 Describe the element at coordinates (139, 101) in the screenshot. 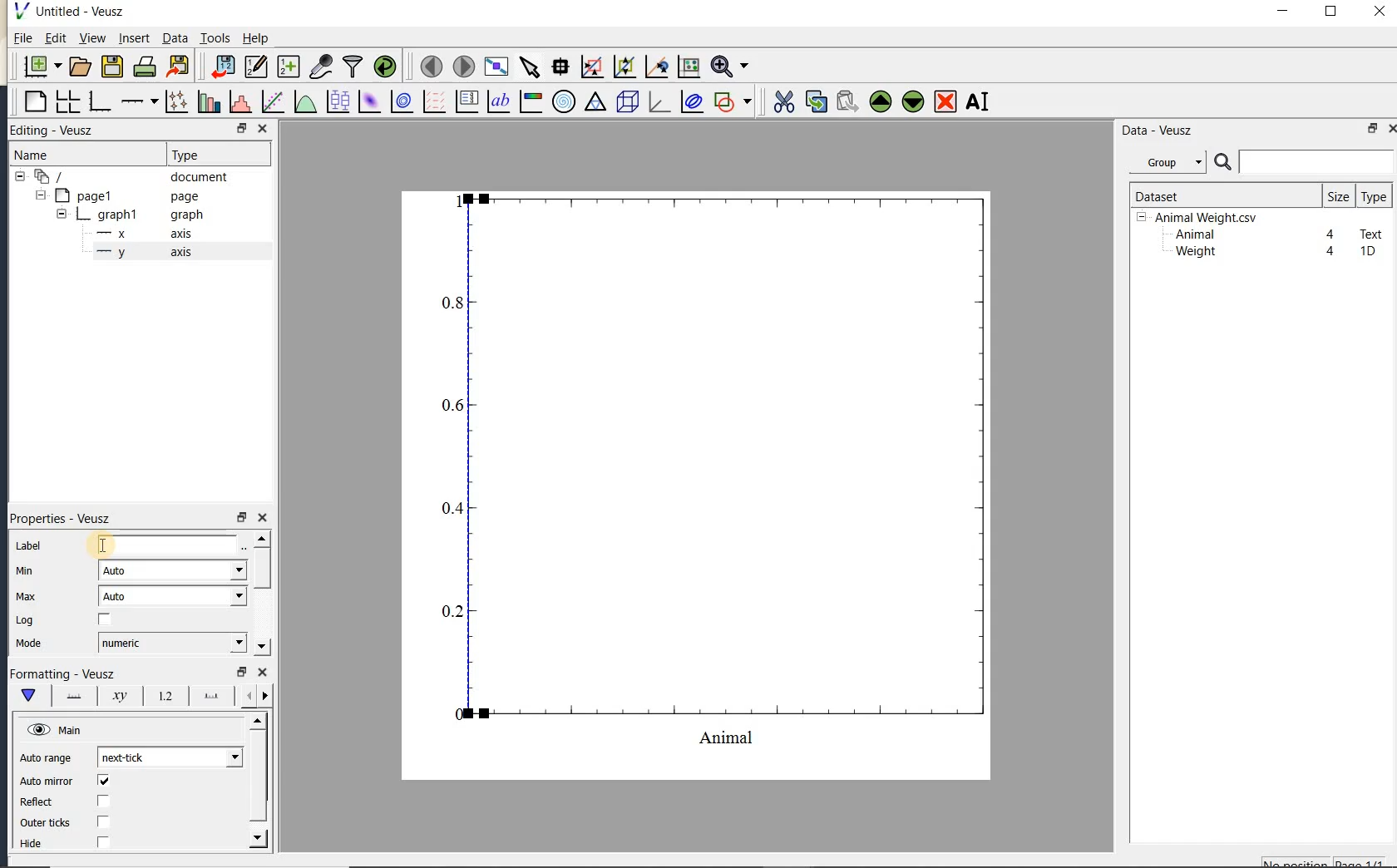

I see `add an axis to the plot` at that location.